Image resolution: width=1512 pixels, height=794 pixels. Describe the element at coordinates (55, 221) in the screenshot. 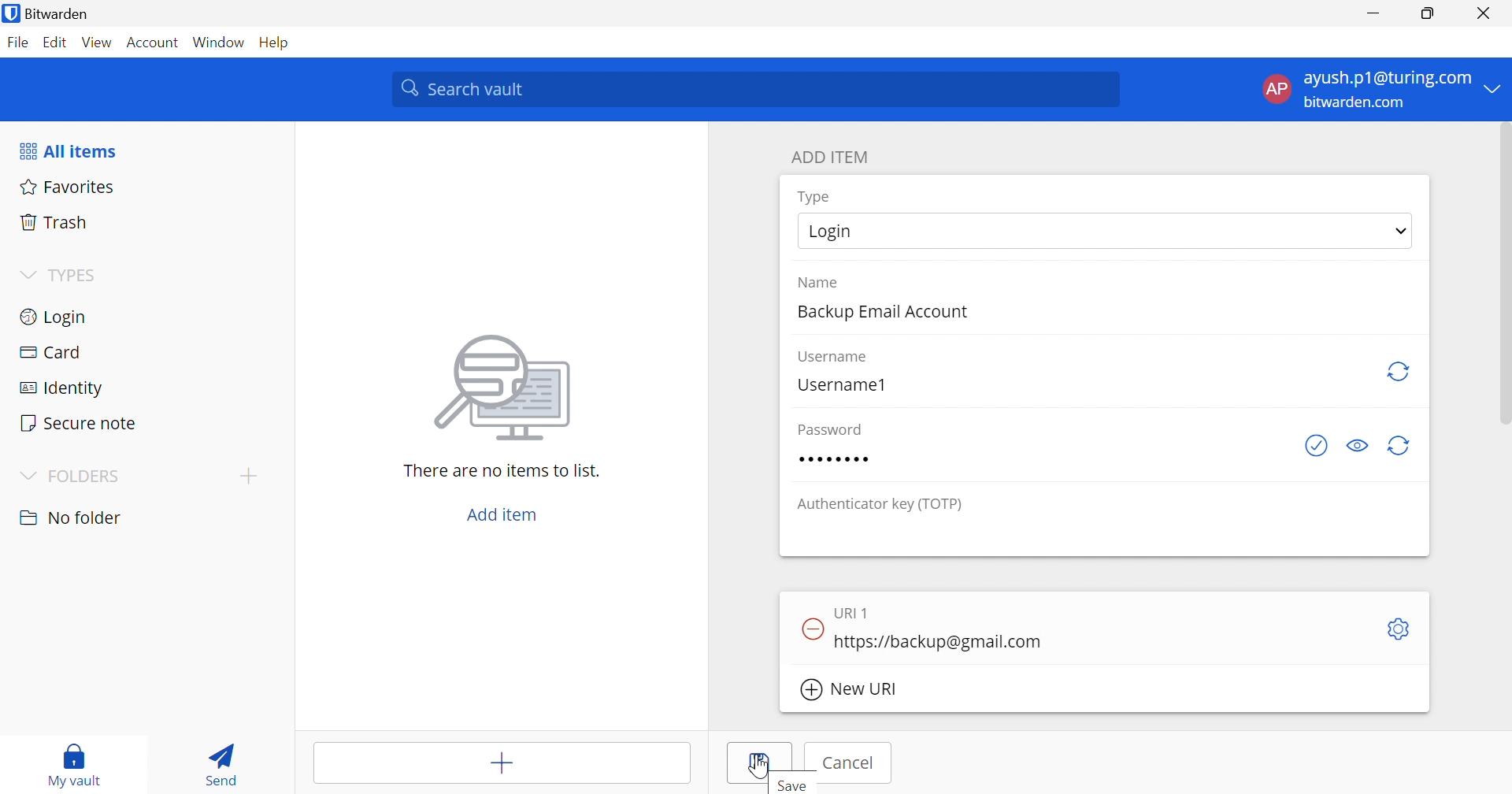

I see `Trash` at that location.